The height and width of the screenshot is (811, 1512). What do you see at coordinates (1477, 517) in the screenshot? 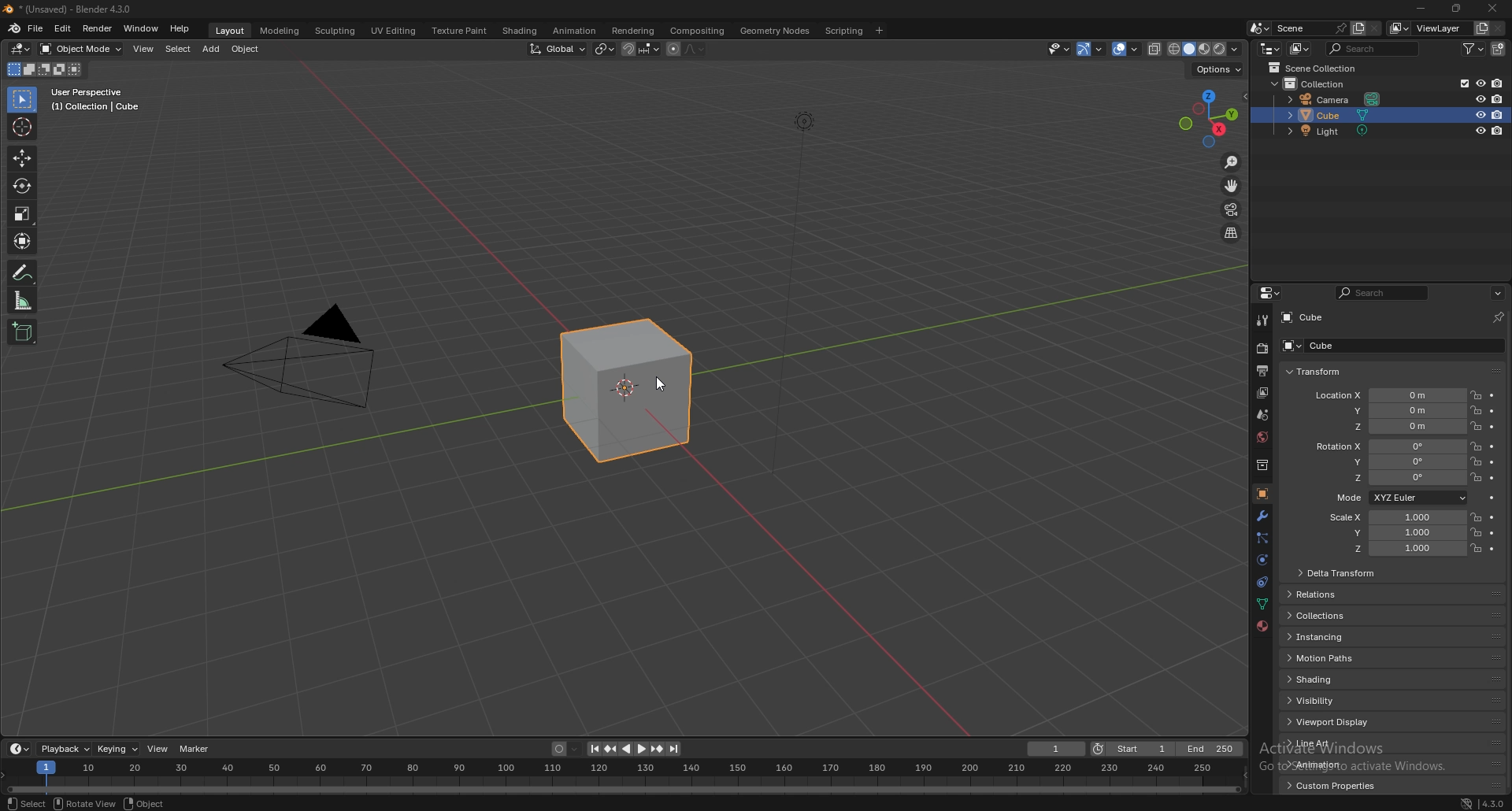
I see `lock location` at bounding box center [1477, 517].